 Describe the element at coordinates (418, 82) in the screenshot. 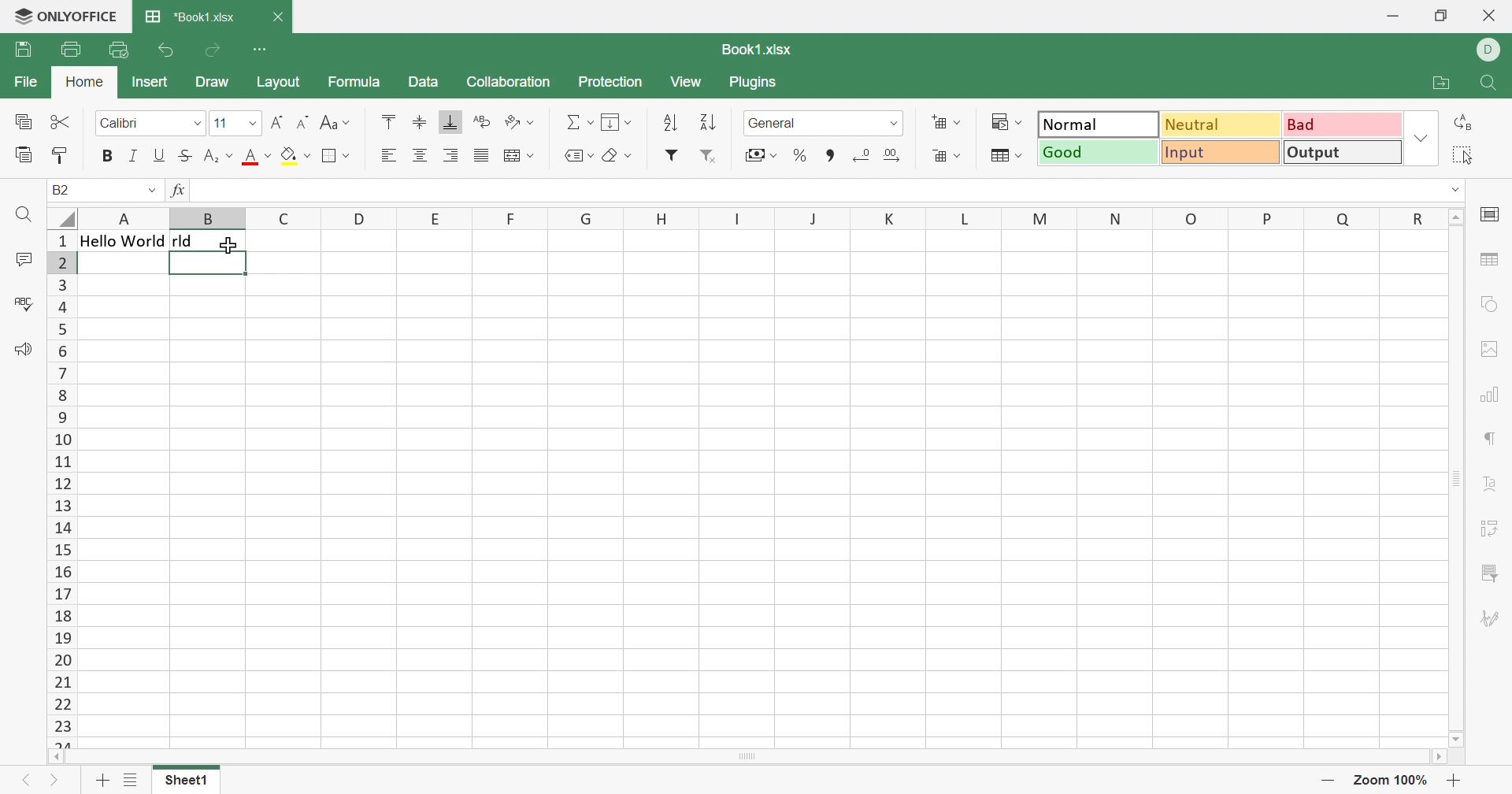

I see `Data` at that location.